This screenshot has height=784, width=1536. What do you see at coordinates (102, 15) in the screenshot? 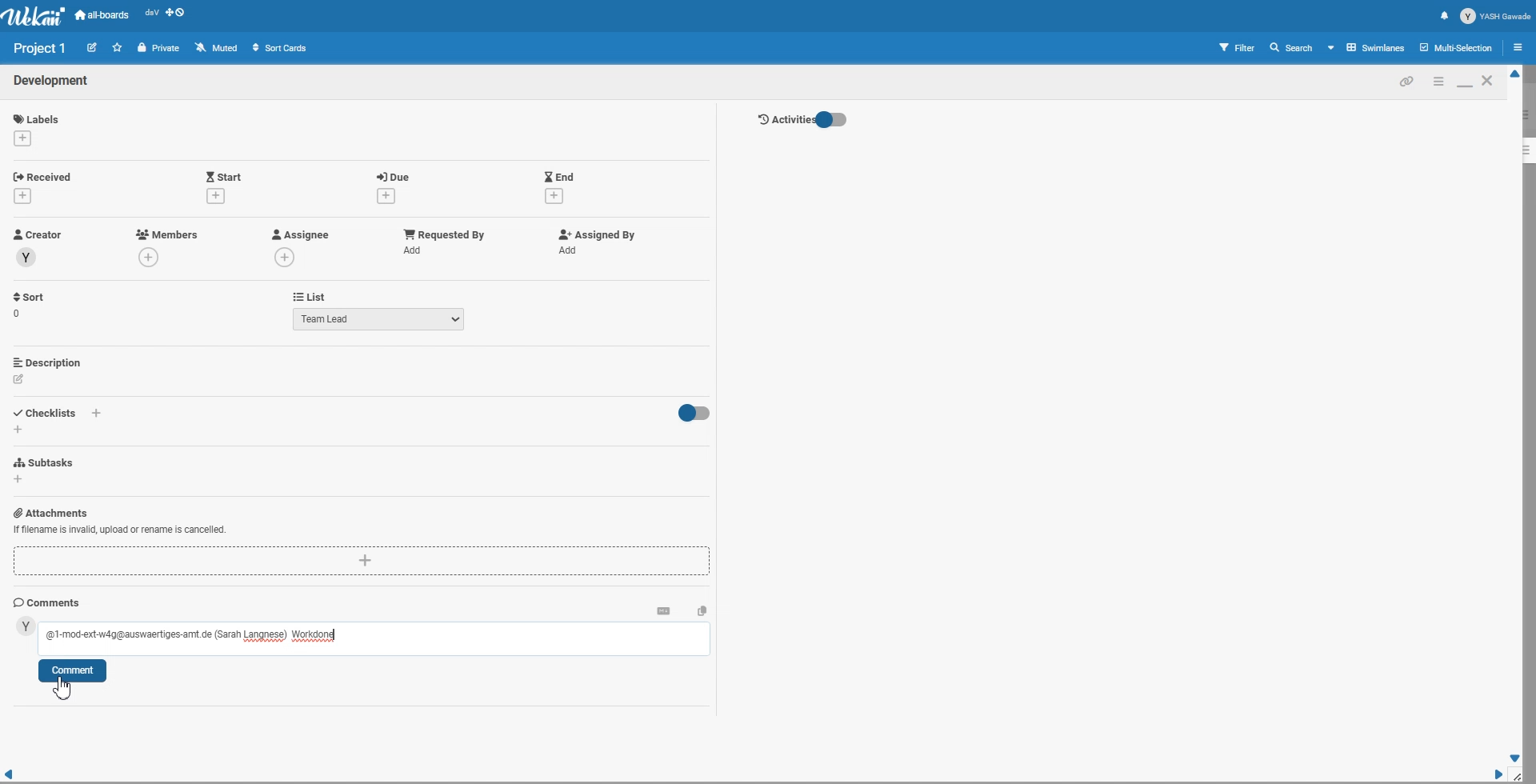
I see `all-boards` at bounding box center [102, 15].